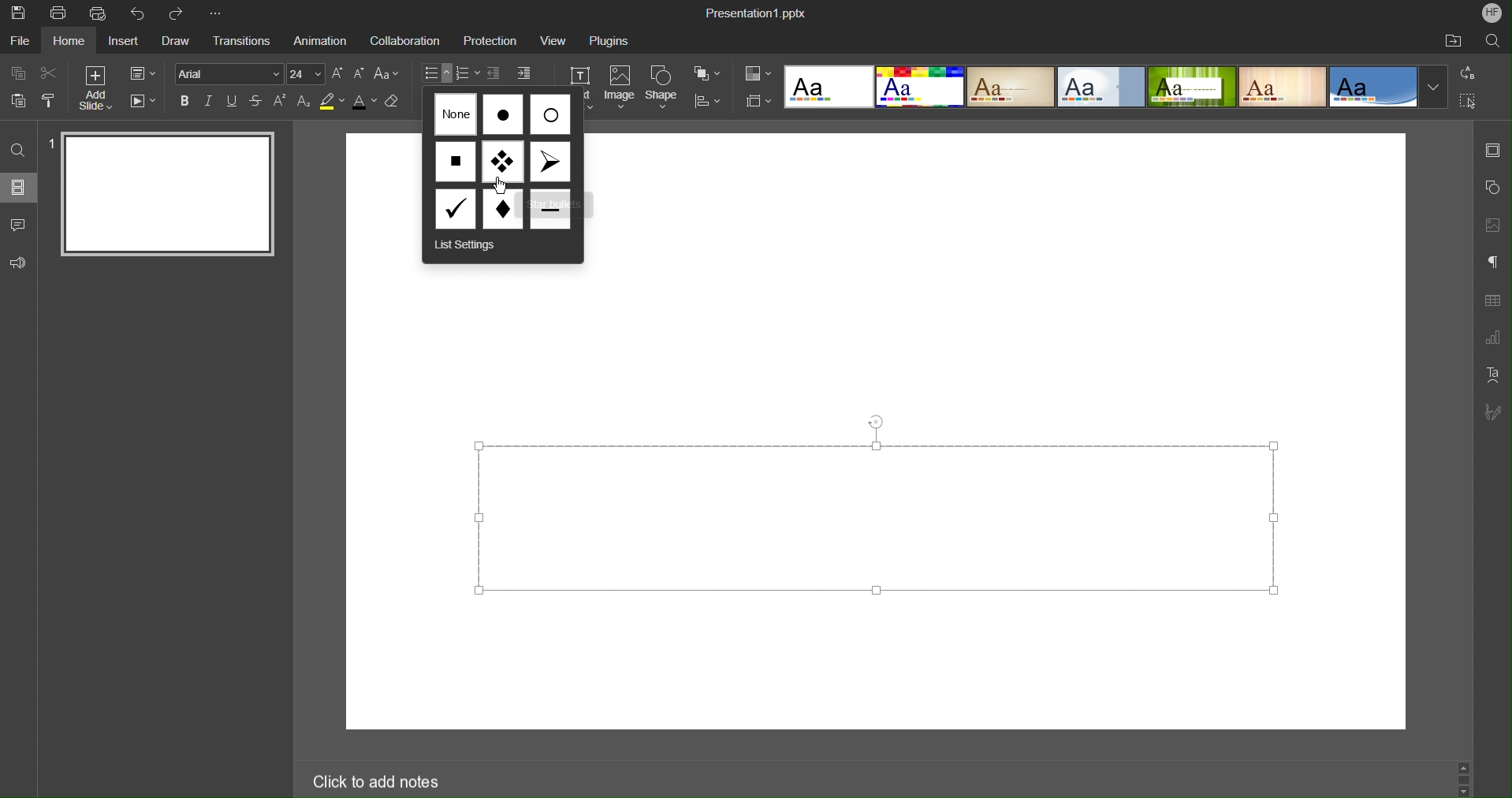 Image resolution: width=1512 pixels, height=798 pixels. Describe the element at coordinates (1469, 73) in the screenshot. I see `Replace` at that location.